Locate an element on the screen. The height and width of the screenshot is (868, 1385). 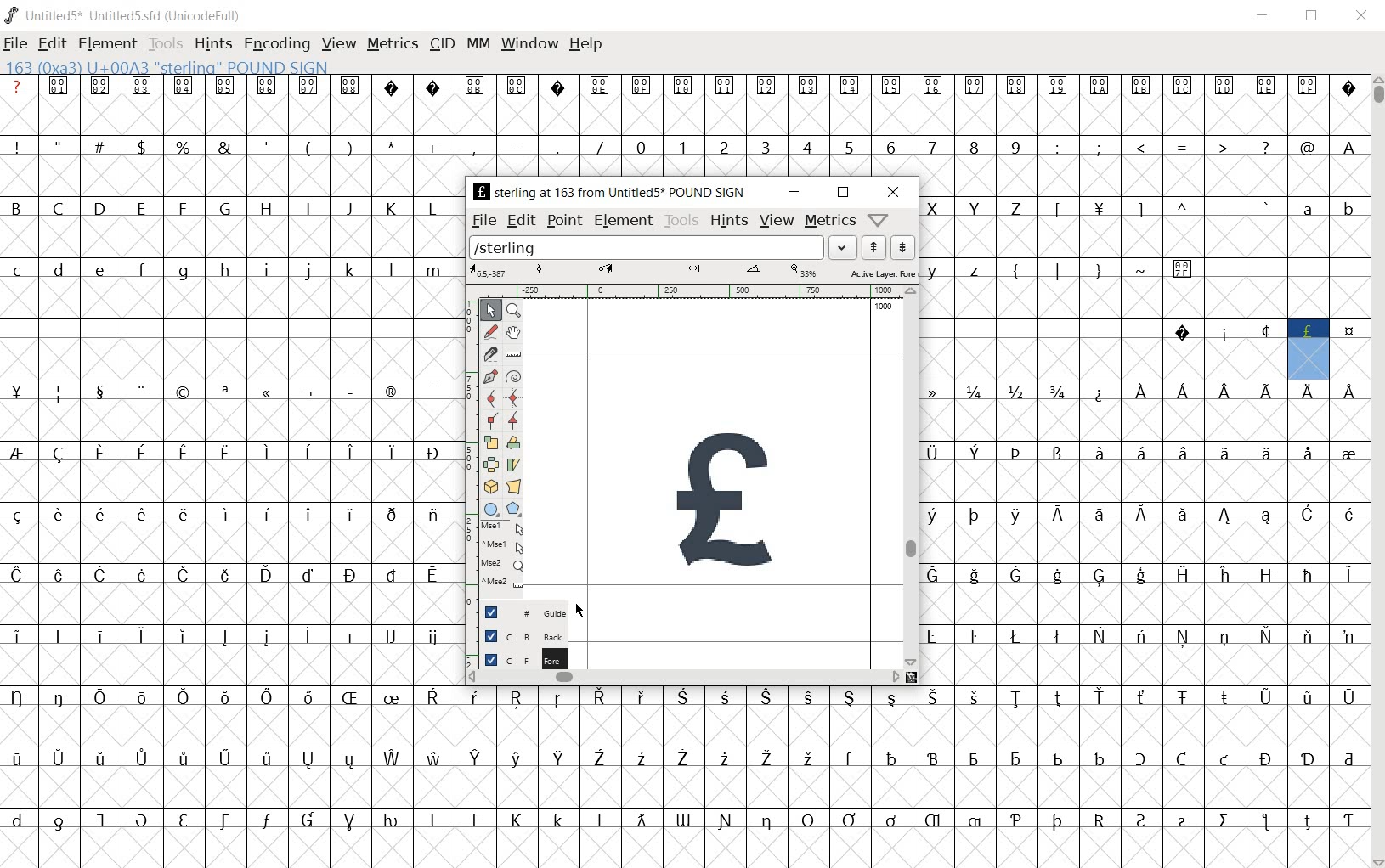
HV curve is located at coordinates (517, 397).